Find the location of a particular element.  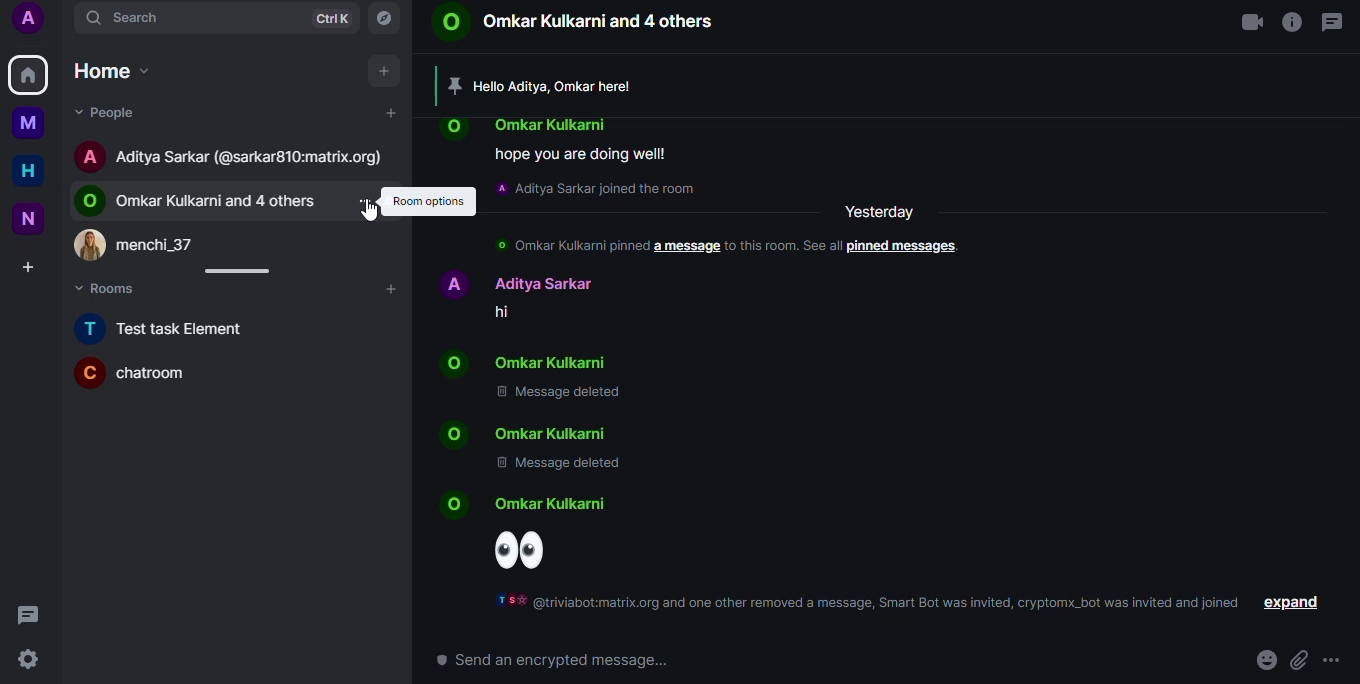

to this room. See all is located at coordinates (783, 245).